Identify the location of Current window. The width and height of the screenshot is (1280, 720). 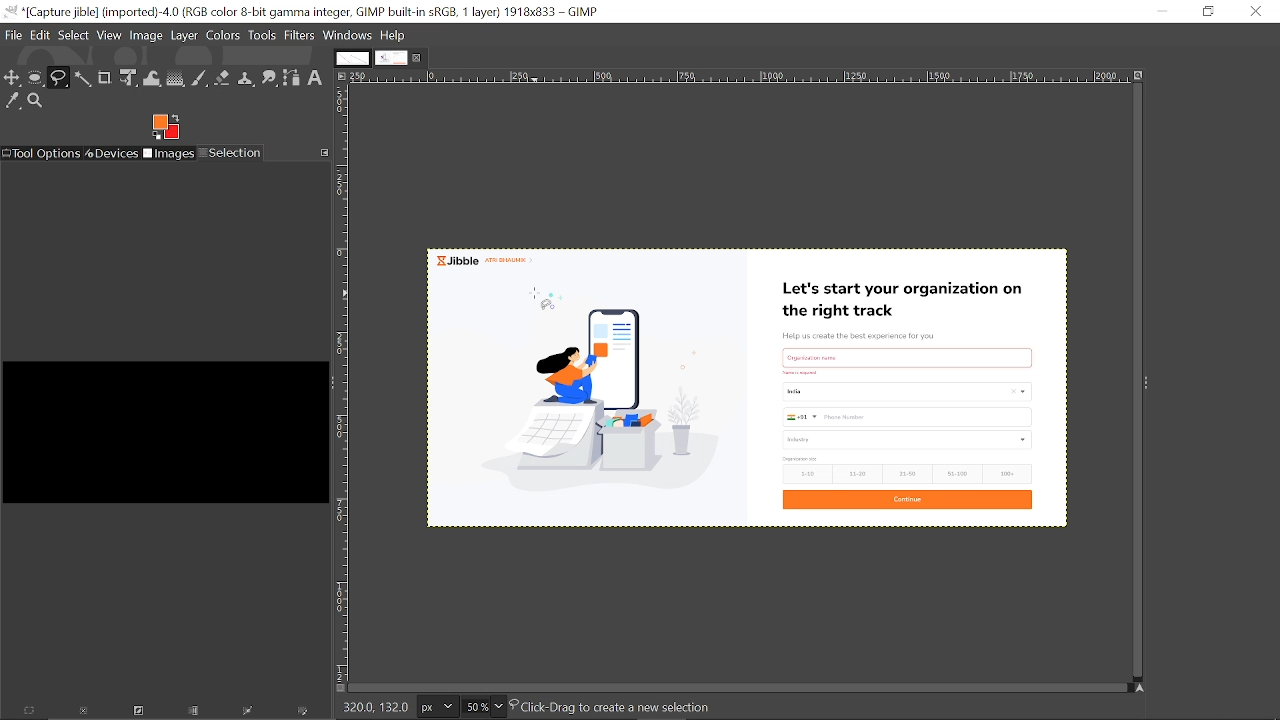
(302, 12).